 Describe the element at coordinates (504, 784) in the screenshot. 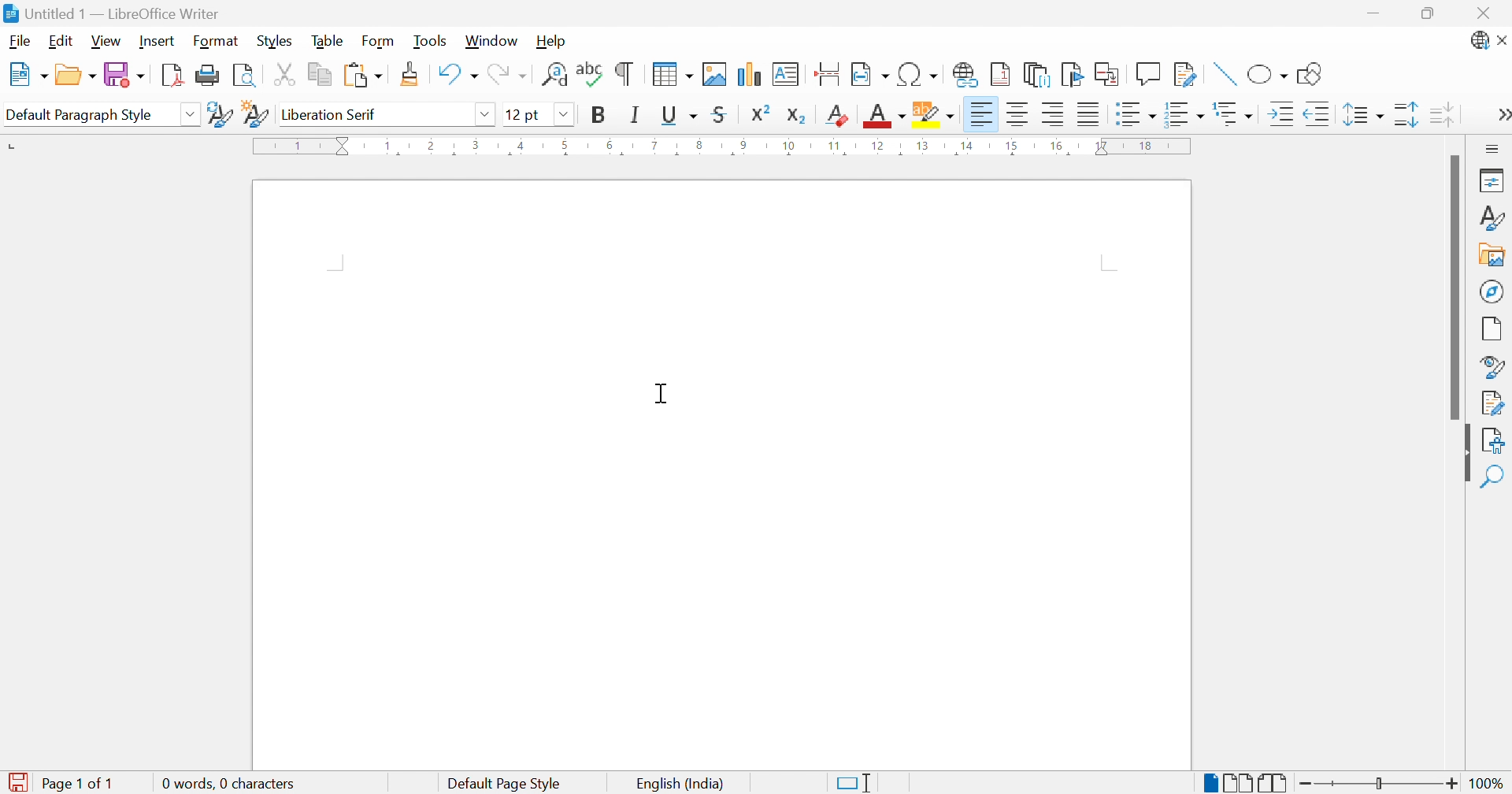

I see `Default page style` at that location.